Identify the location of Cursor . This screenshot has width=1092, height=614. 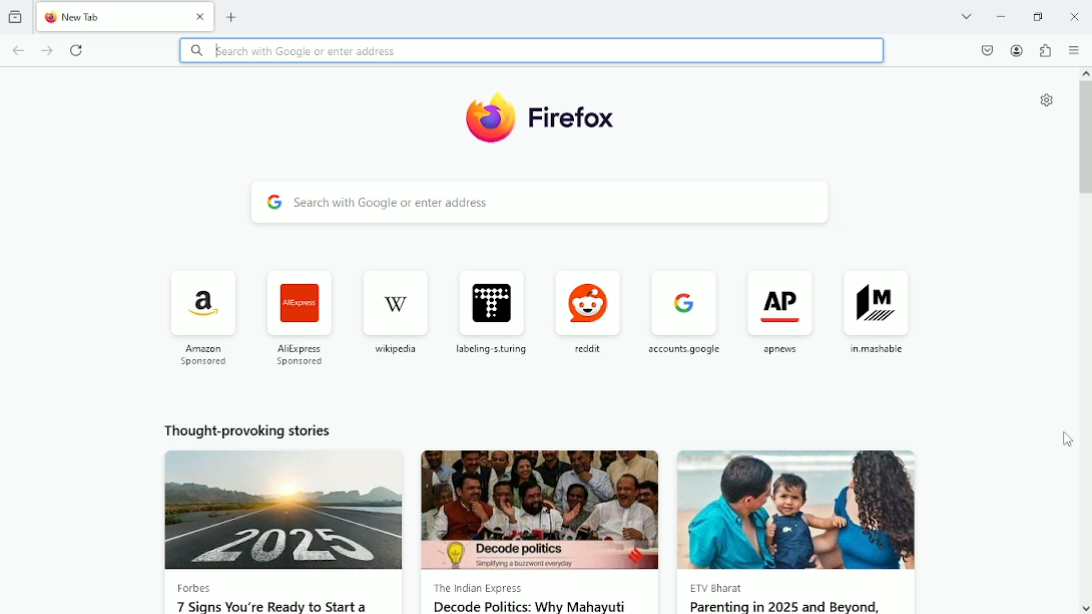
(1069, 440).